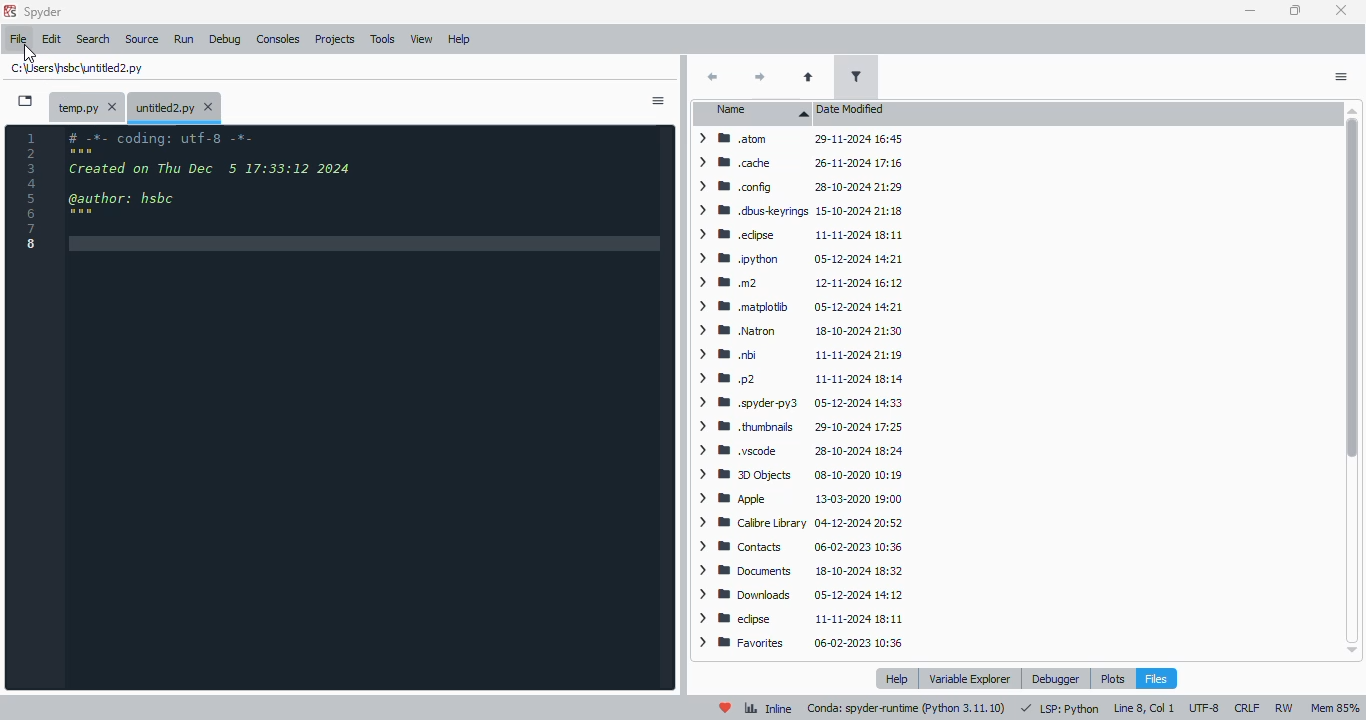 This screenshot has height=720, width=1366. Describe the element at coordinates (798, 451) in the screenshot. I see `> M8 .vscode 28-10-2024 18:24` at that location.